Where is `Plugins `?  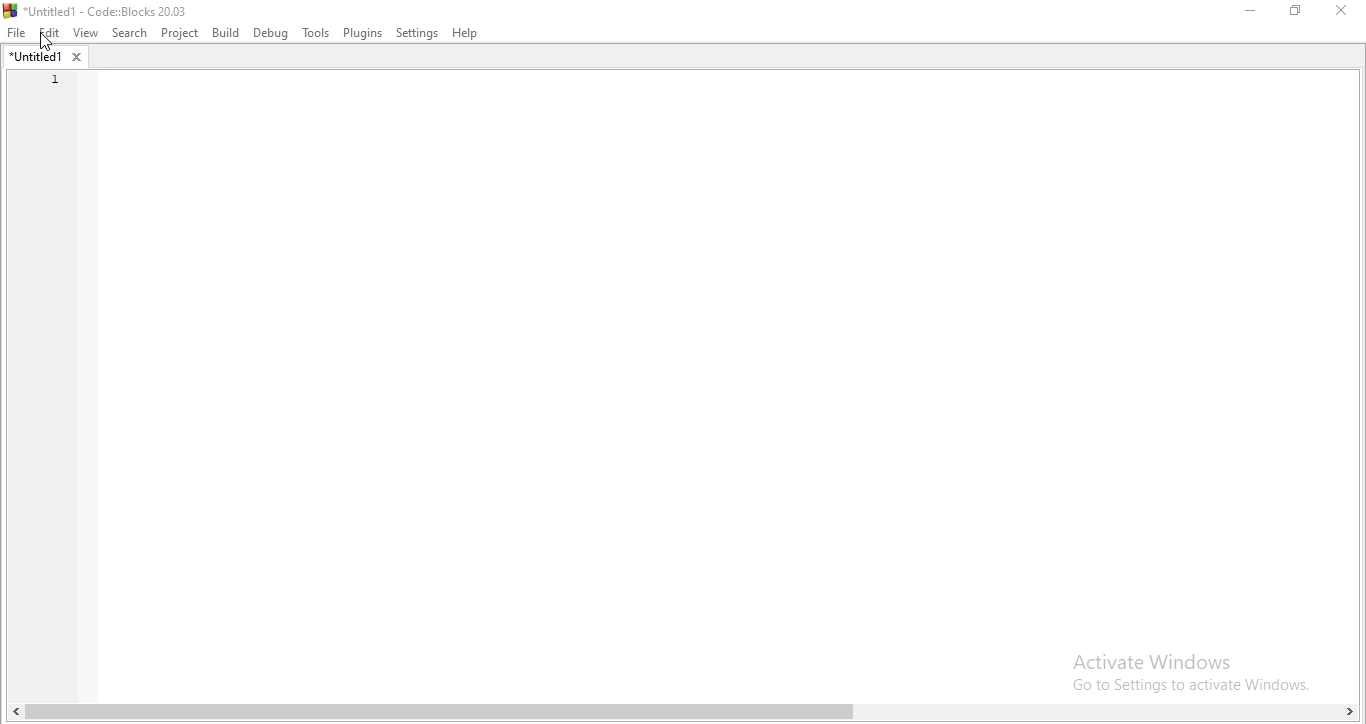 Plugins  is located at coordinates (363, 33).